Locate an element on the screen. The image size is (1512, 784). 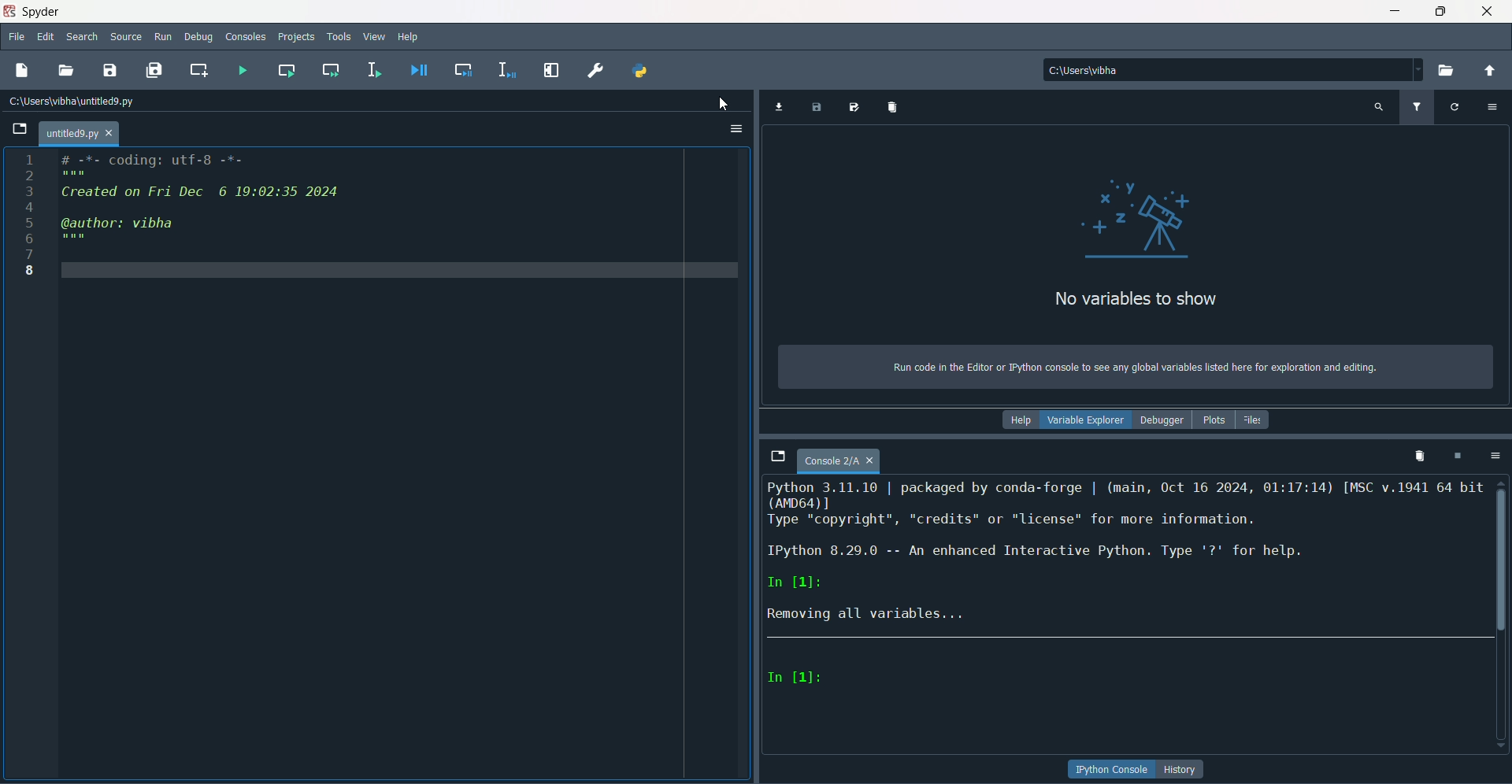
debug is located at coordinates (199, 38).